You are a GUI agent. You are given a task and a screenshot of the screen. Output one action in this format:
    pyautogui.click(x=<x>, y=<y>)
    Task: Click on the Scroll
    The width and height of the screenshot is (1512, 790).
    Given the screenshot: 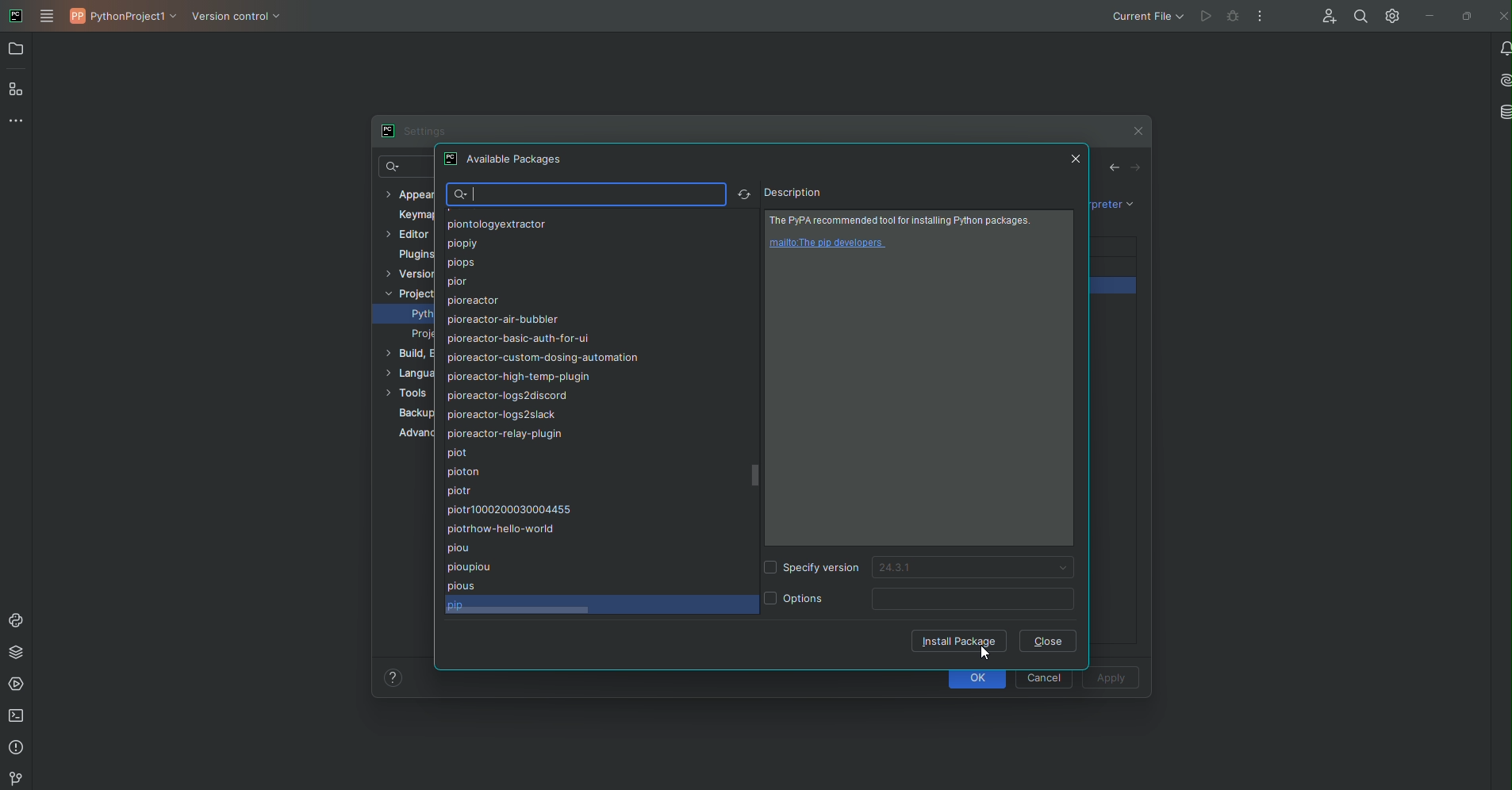 What is the action you would take?
    pyautogui.click(x=758, y=472)
    